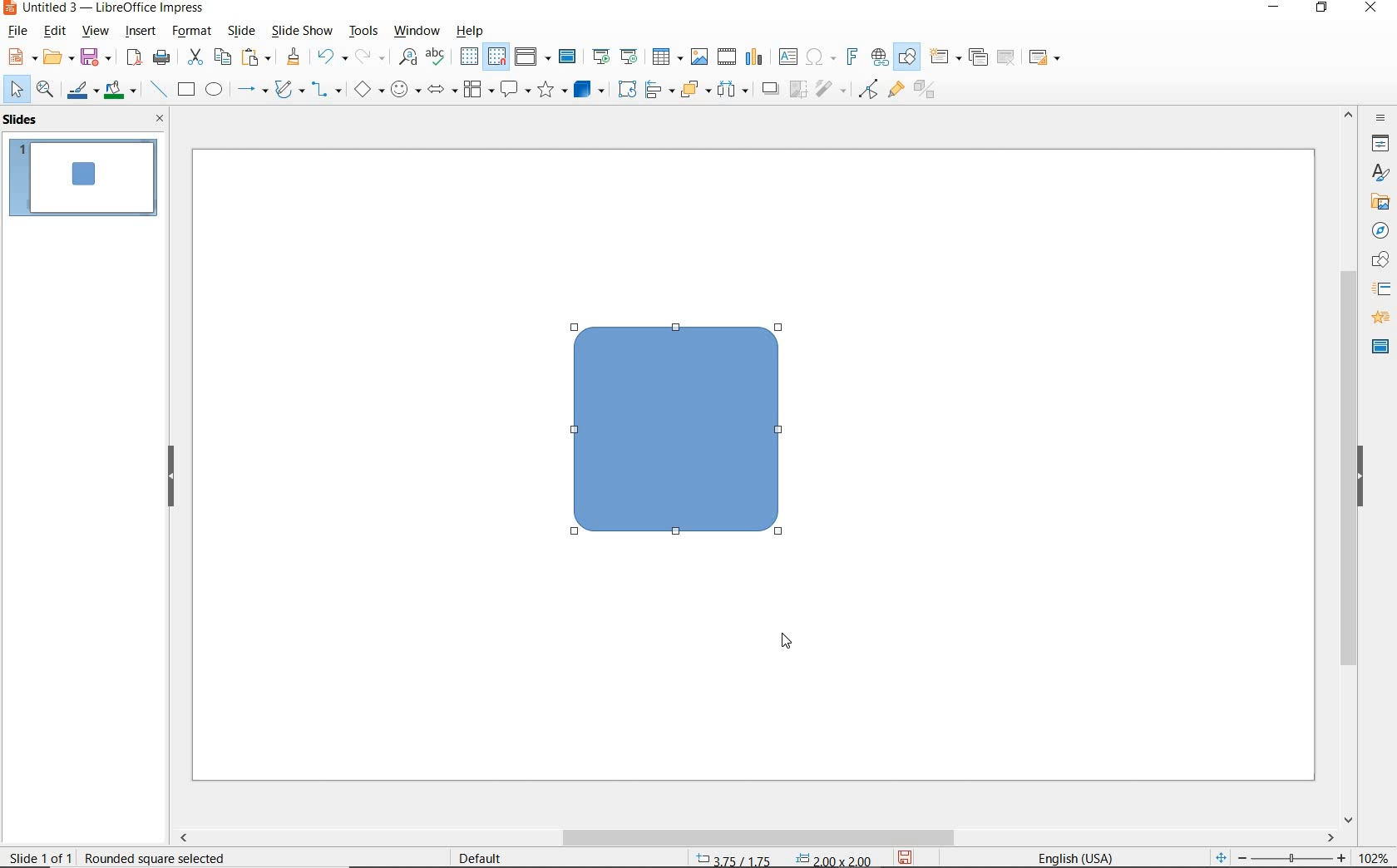 This screenshot has width=1397, height=868. I want to click on new, so click(15, 59).